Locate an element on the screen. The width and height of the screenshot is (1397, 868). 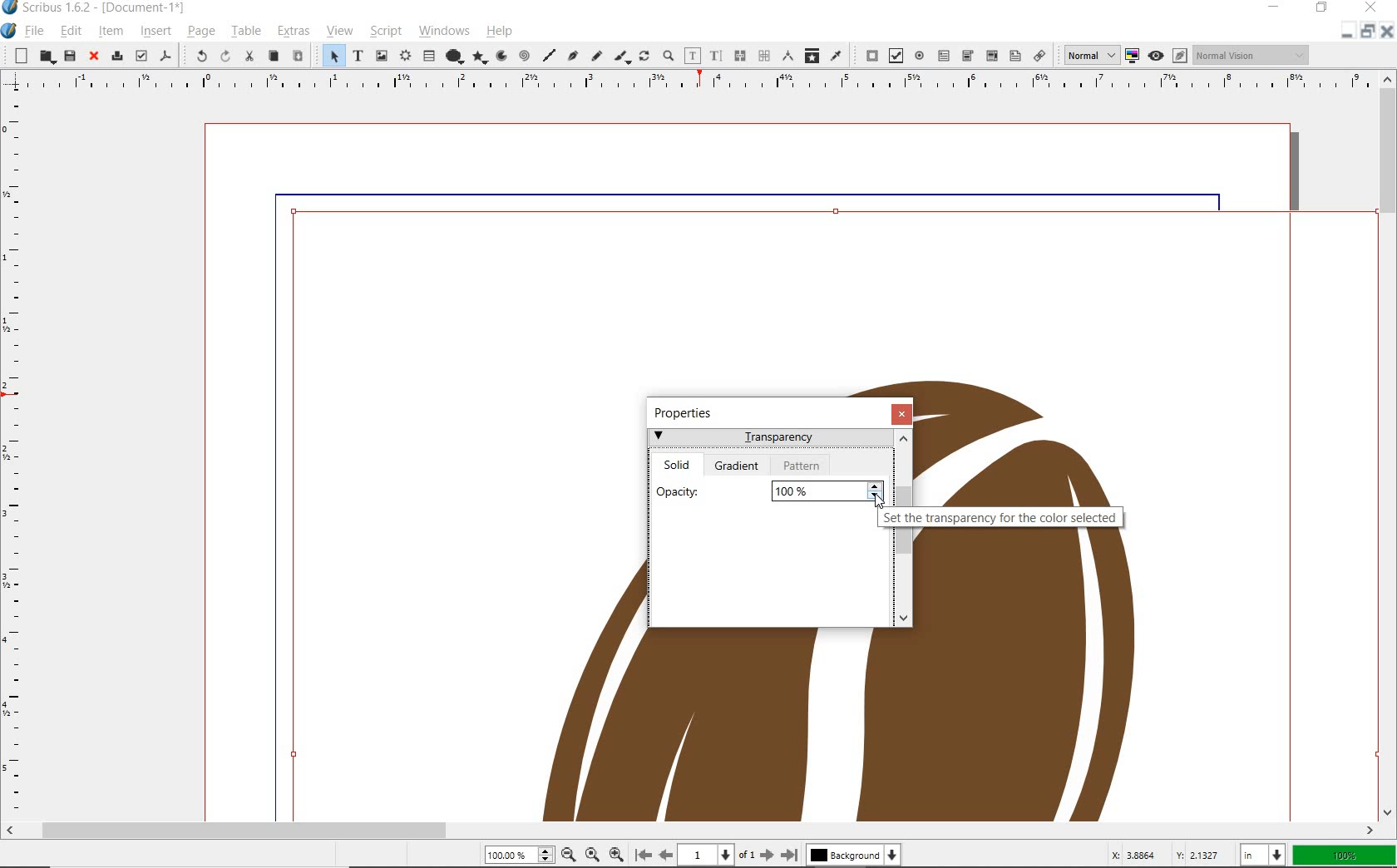
Last Page is located at coordinates (790, 855).